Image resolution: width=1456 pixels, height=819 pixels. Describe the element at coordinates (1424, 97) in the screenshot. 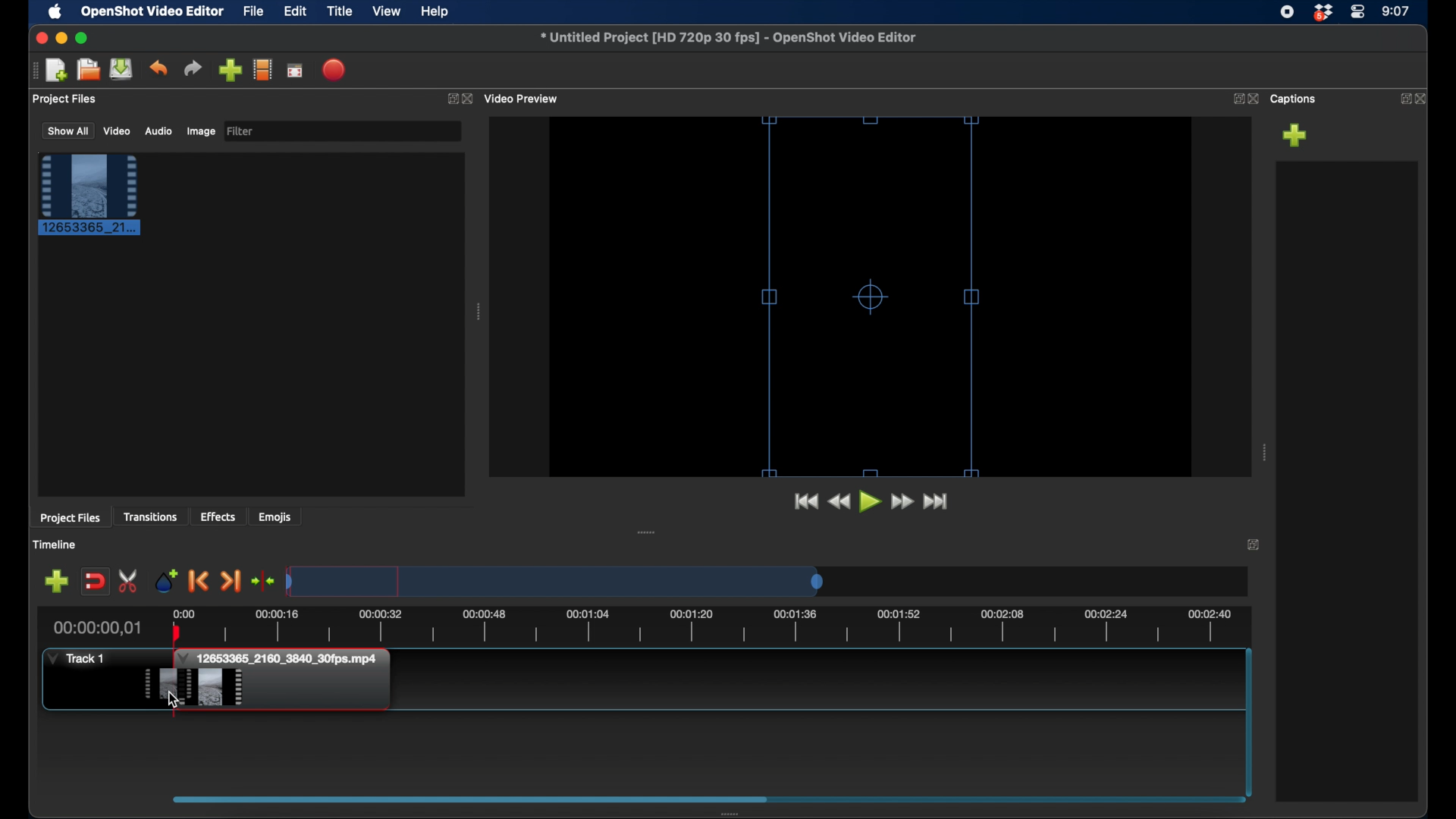

I see `close` at that location.